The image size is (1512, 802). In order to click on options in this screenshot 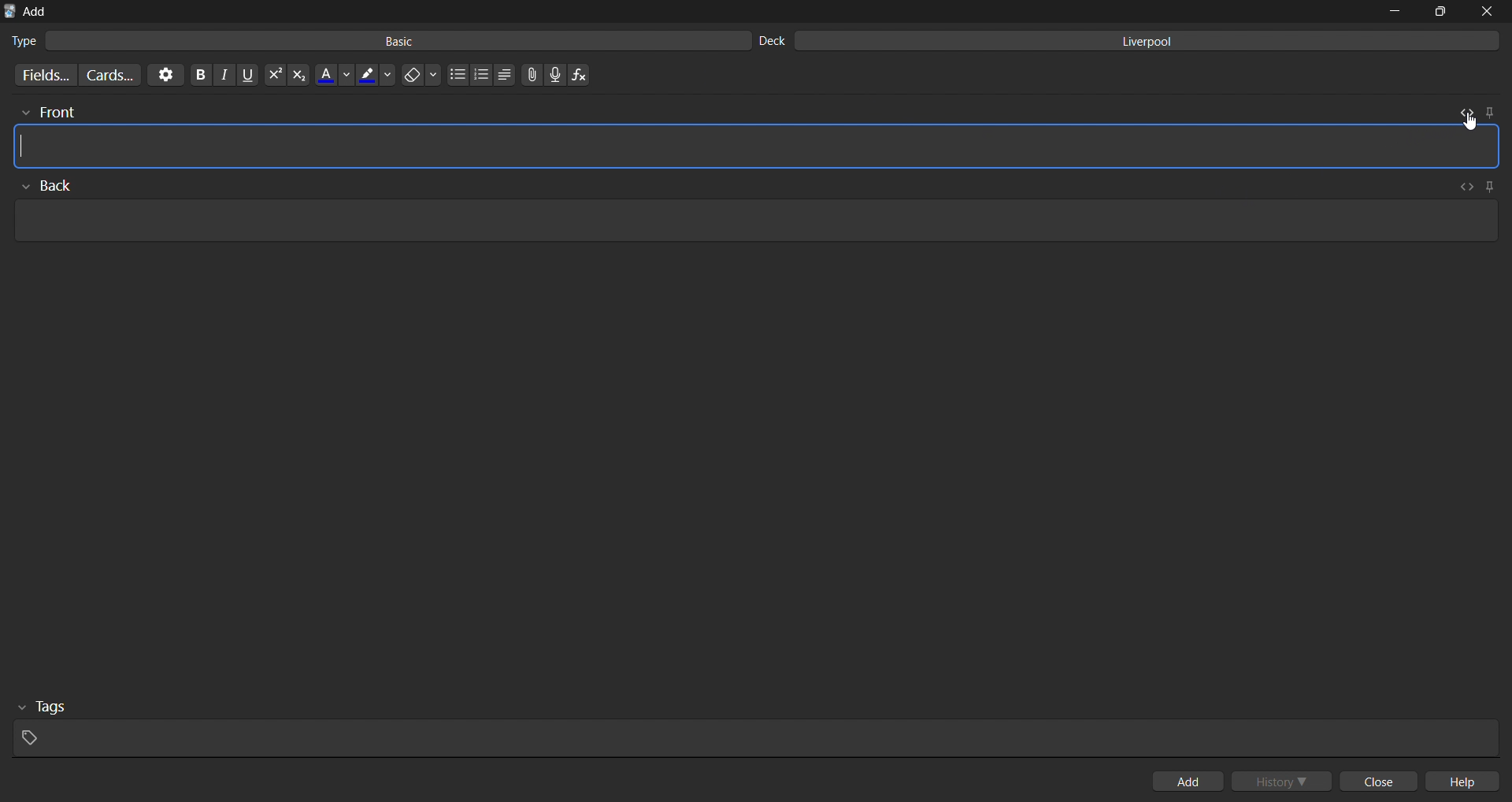, I will do `click(164, 75)`.